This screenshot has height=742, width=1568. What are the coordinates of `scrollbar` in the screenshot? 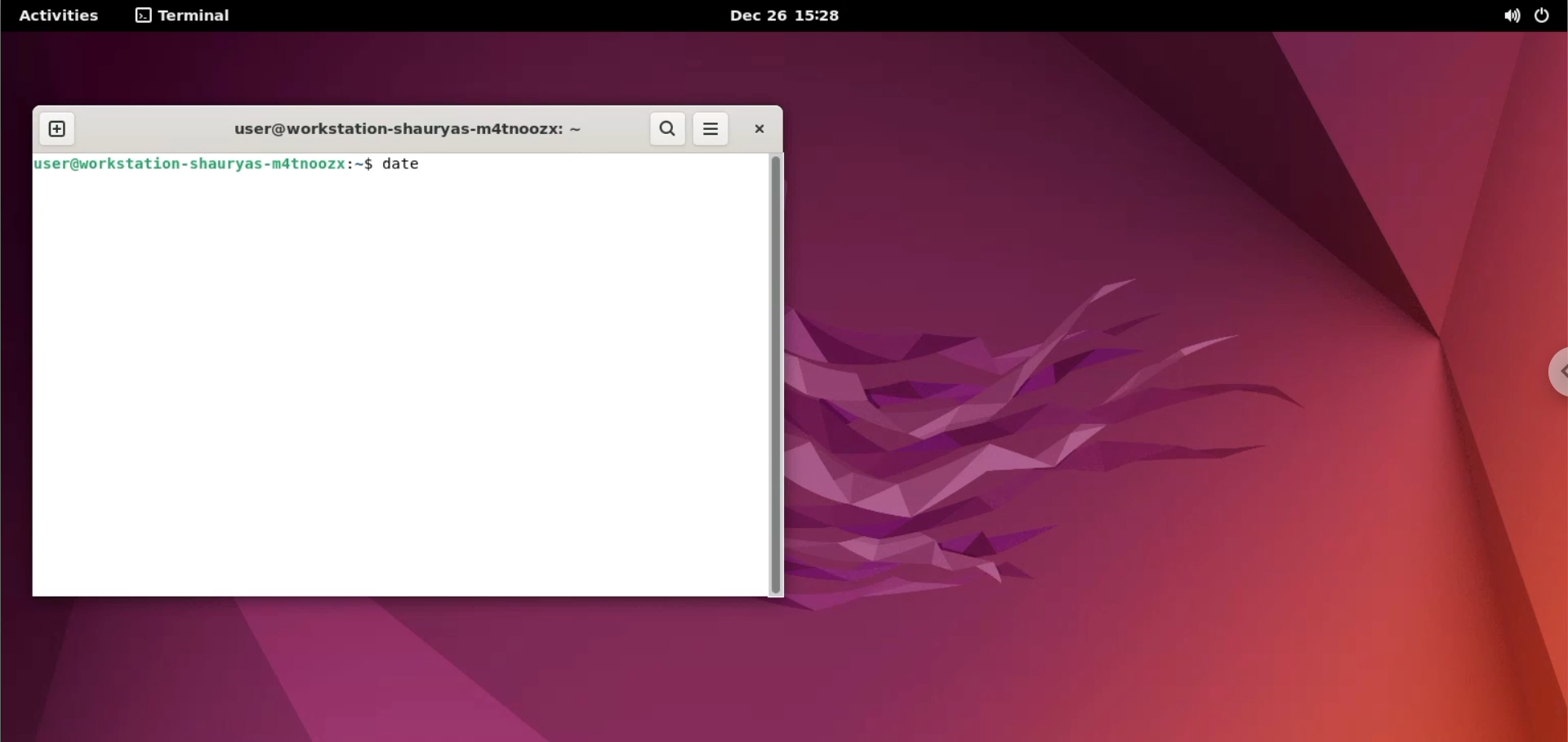 It's located at (777, 376).